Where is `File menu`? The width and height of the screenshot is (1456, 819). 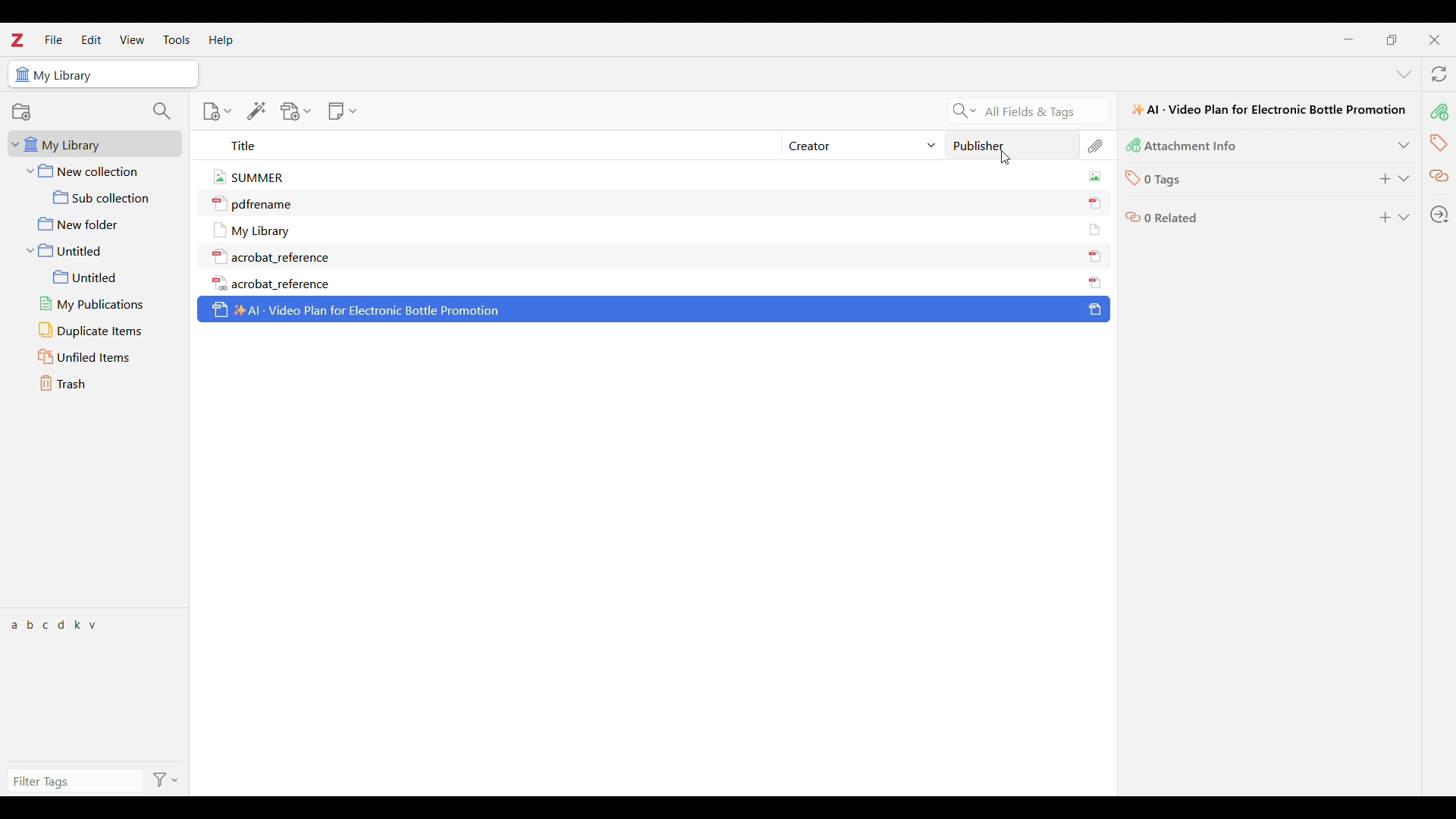 File menu is located at coordinates (53, 39).